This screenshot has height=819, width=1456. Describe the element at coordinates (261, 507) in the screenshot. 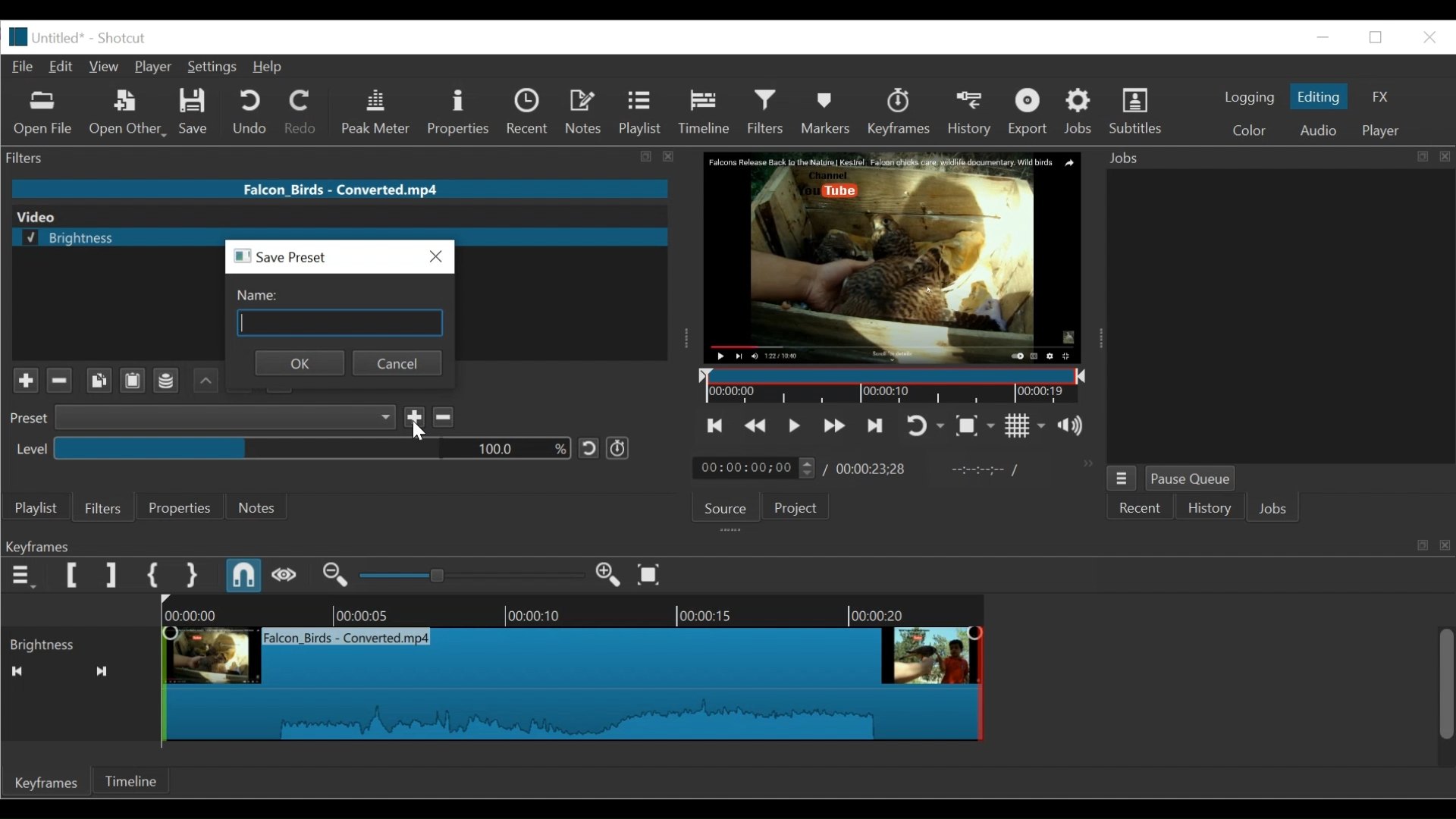

I see `Notes` at that location.